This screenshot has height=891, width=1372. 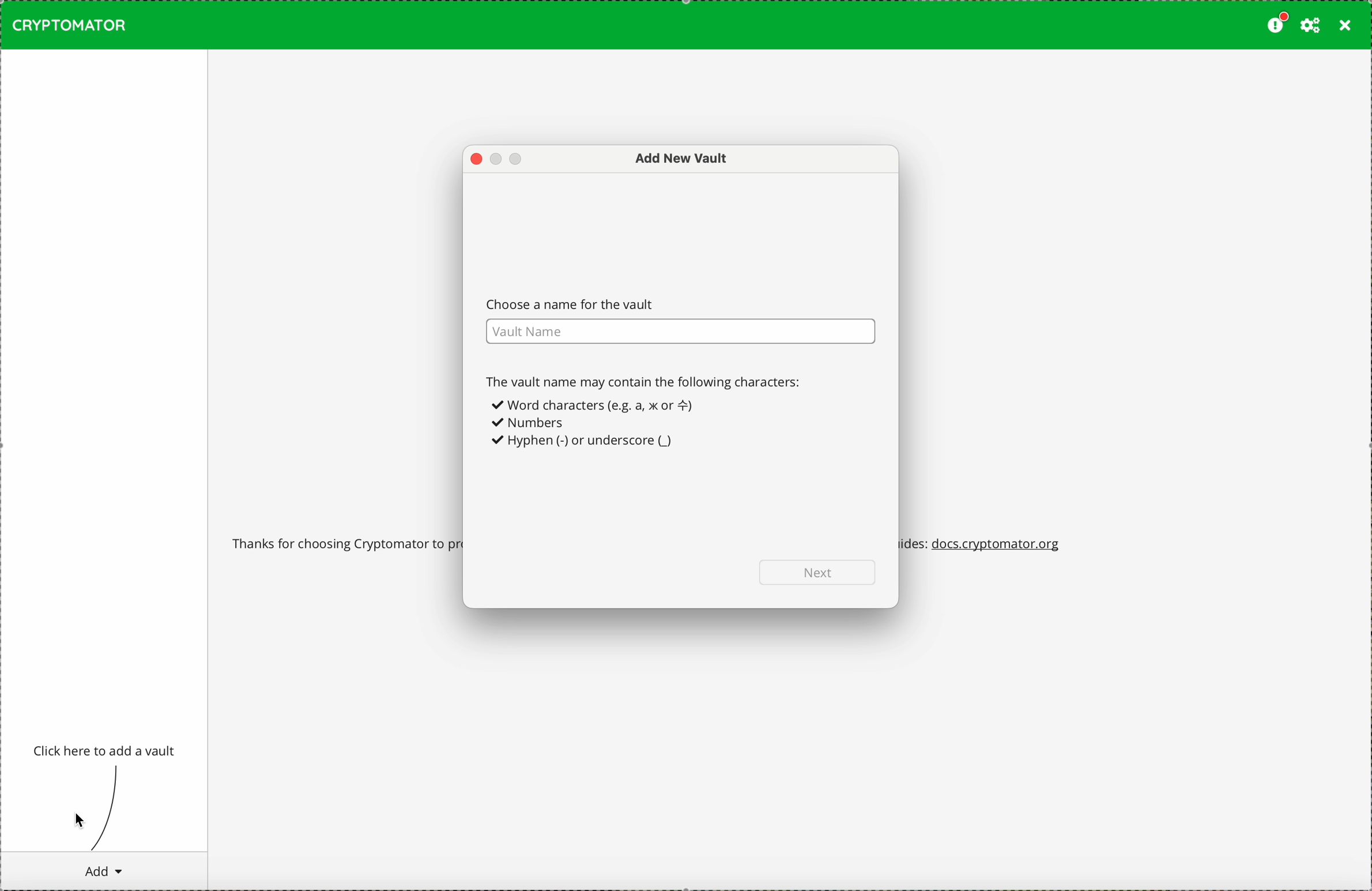 I want to click on click to add a vault, so click(x=106, y=751).